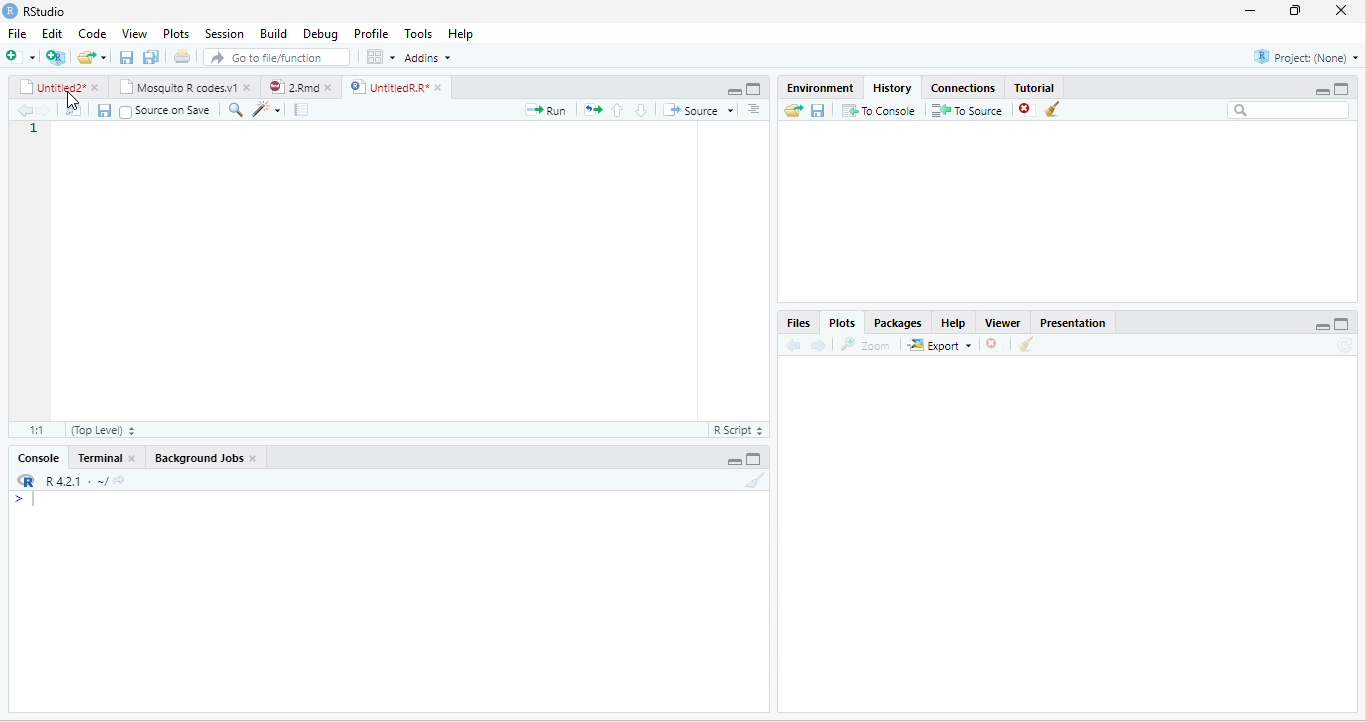  Describe the element at coordinates (1313, 89) in the screenshot. I see `minimize` at that location.